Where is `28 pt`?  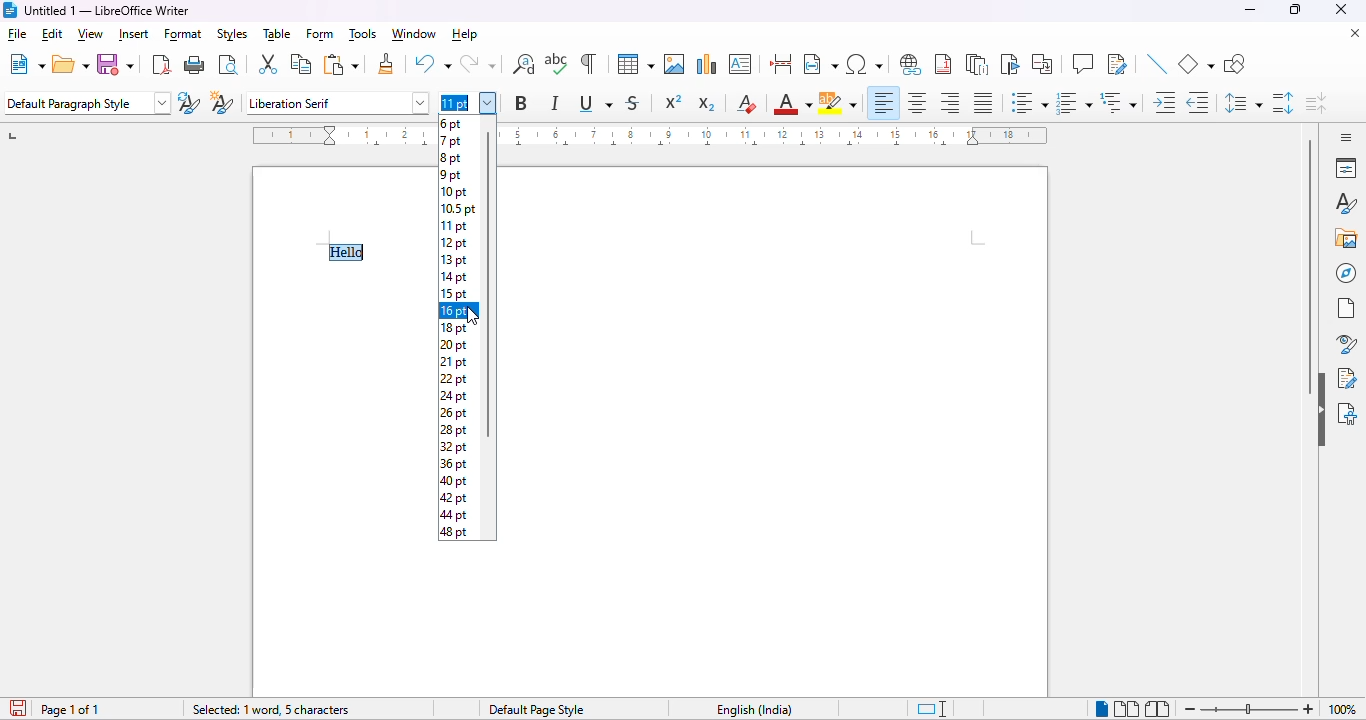
28 pt is located at coordinates (454, 430).